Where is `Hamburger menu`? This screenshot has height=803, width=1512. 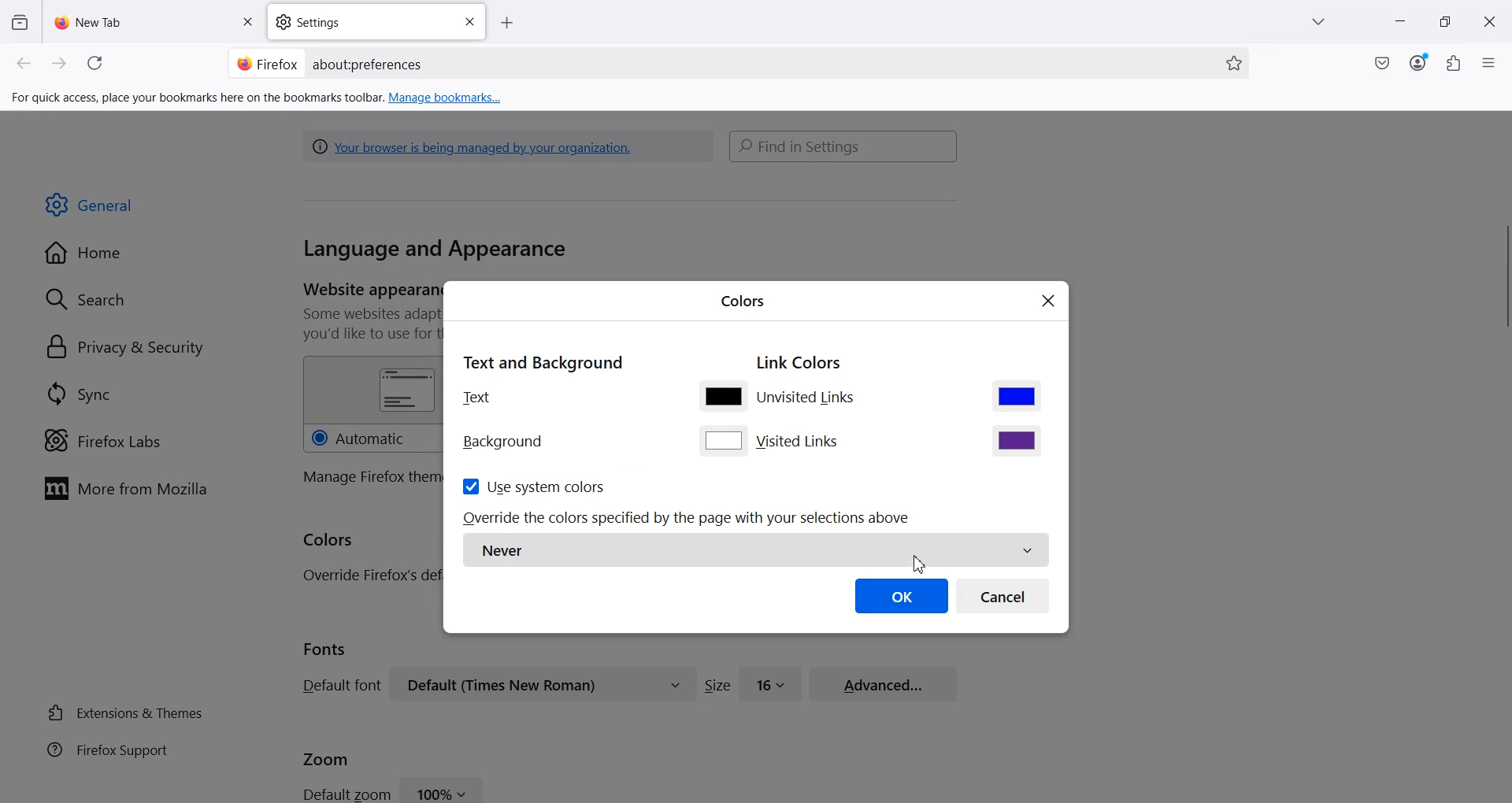 Hamburger menu is located at coordinates (1491, 64).